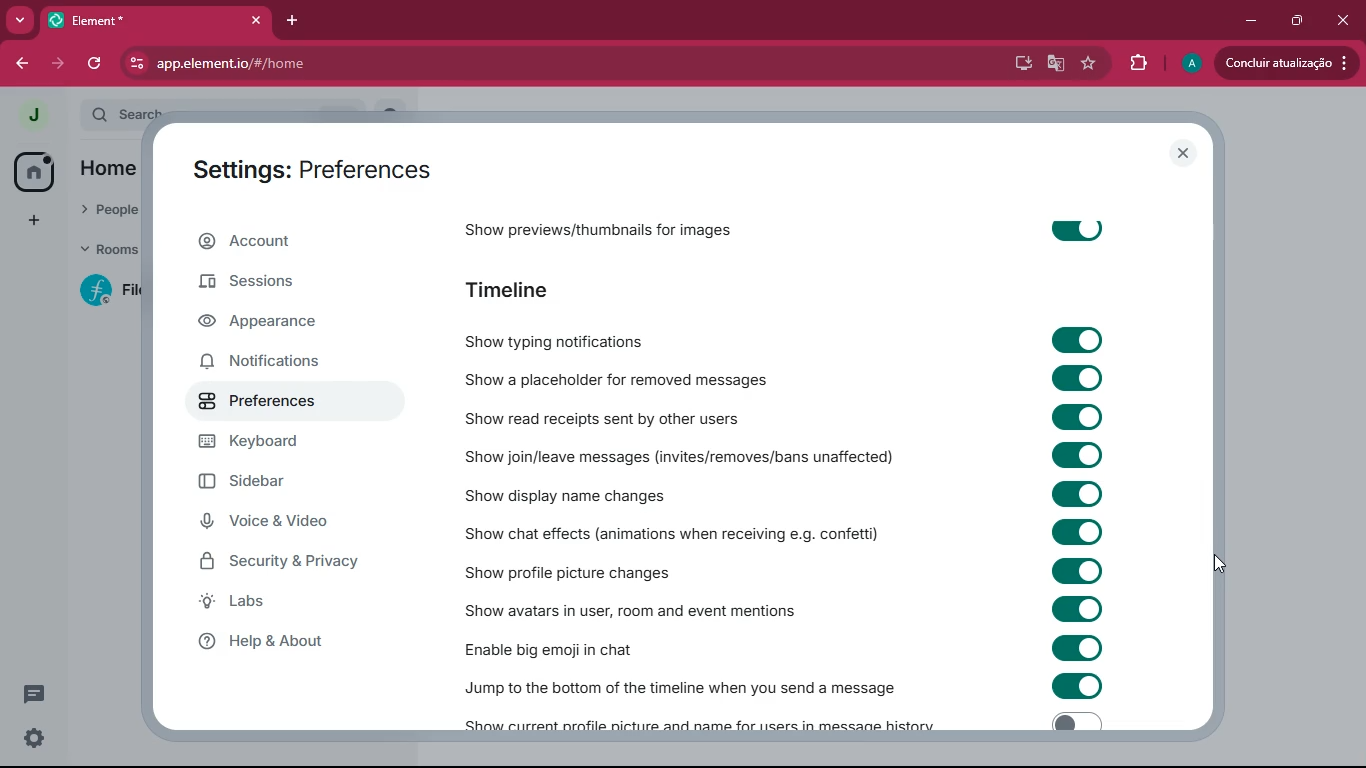  I want to click on show display name changes, so click(571, 495).